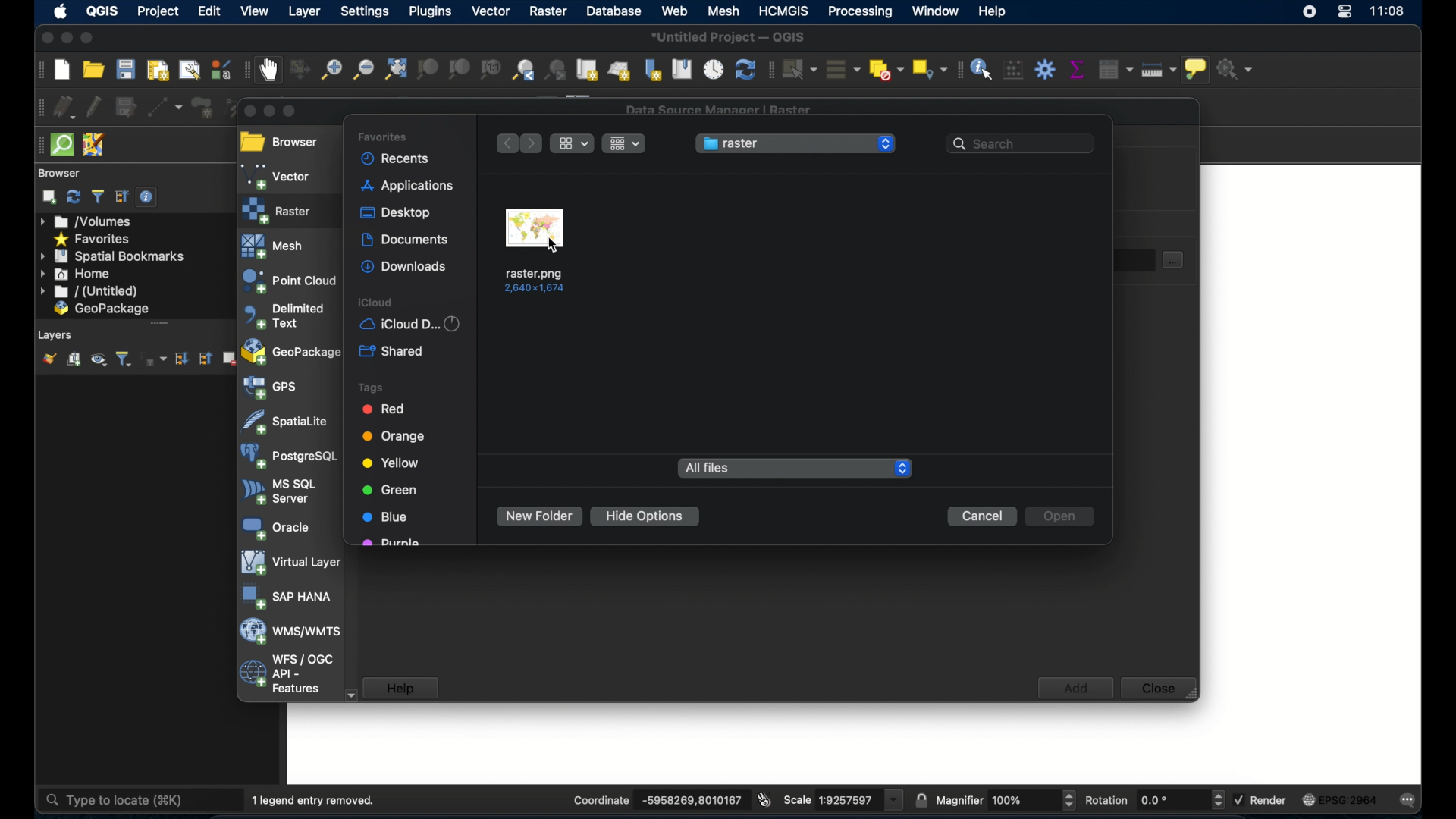  Describe the element at coordinates (959, 799) in the screenshot. I see `magnifier` at that location.